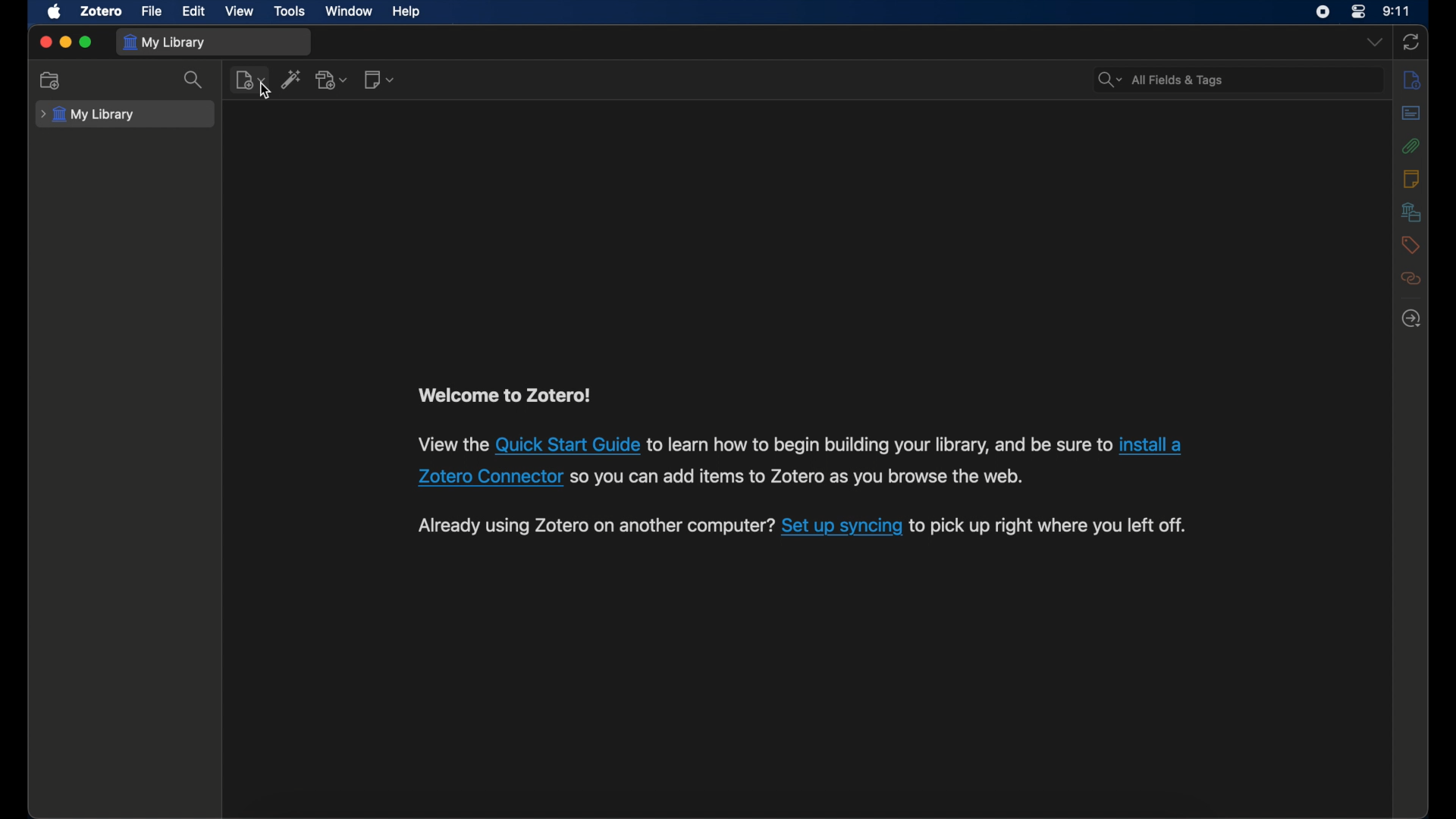 This screenshot has width=1456, height=819. What do you see at coordinates (195, 80) in the screenshot?
I see `search` at bounding box center [195, 80].